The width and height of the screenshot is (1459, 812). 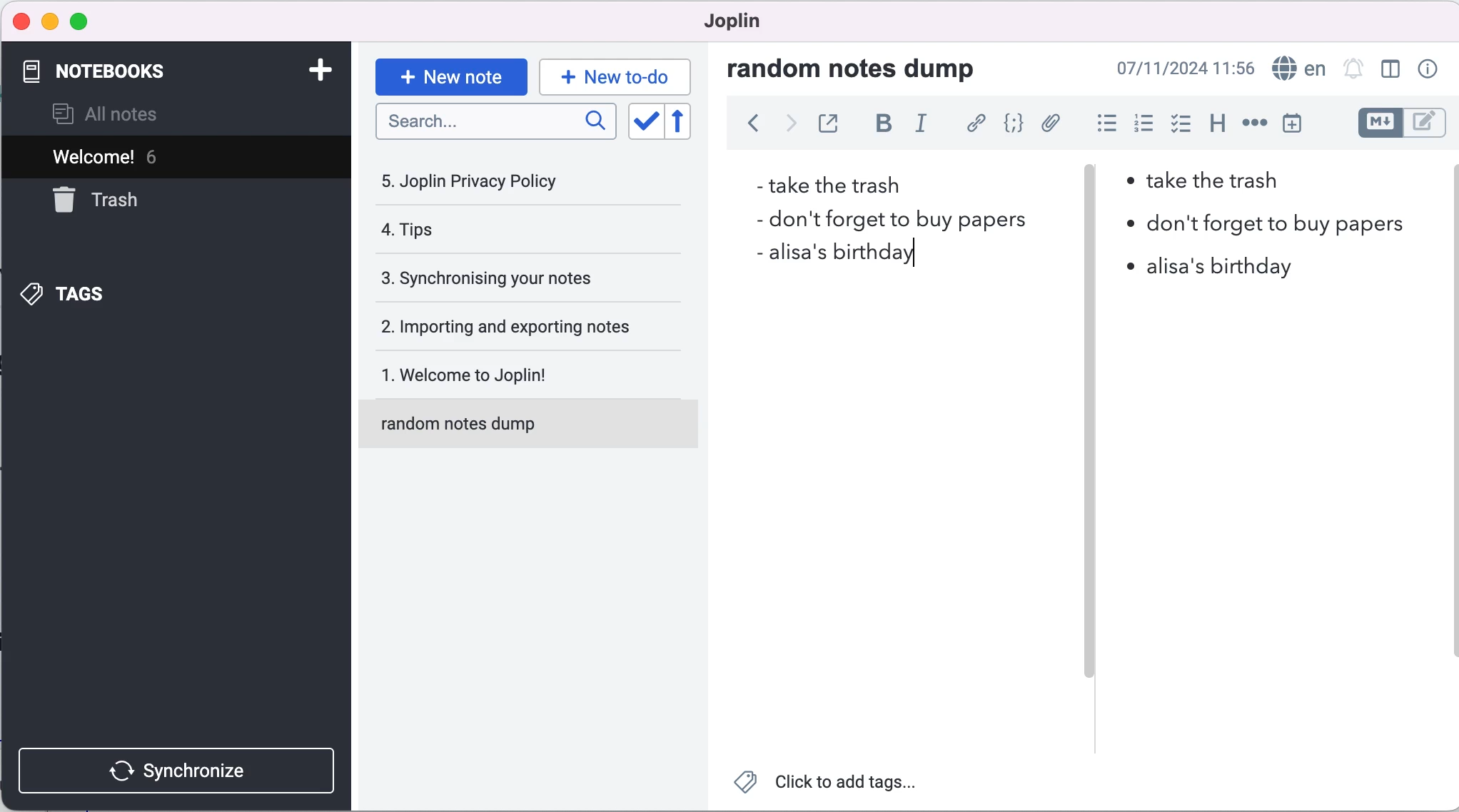 I want to click on random notes dump, so click(x=535, y=430).